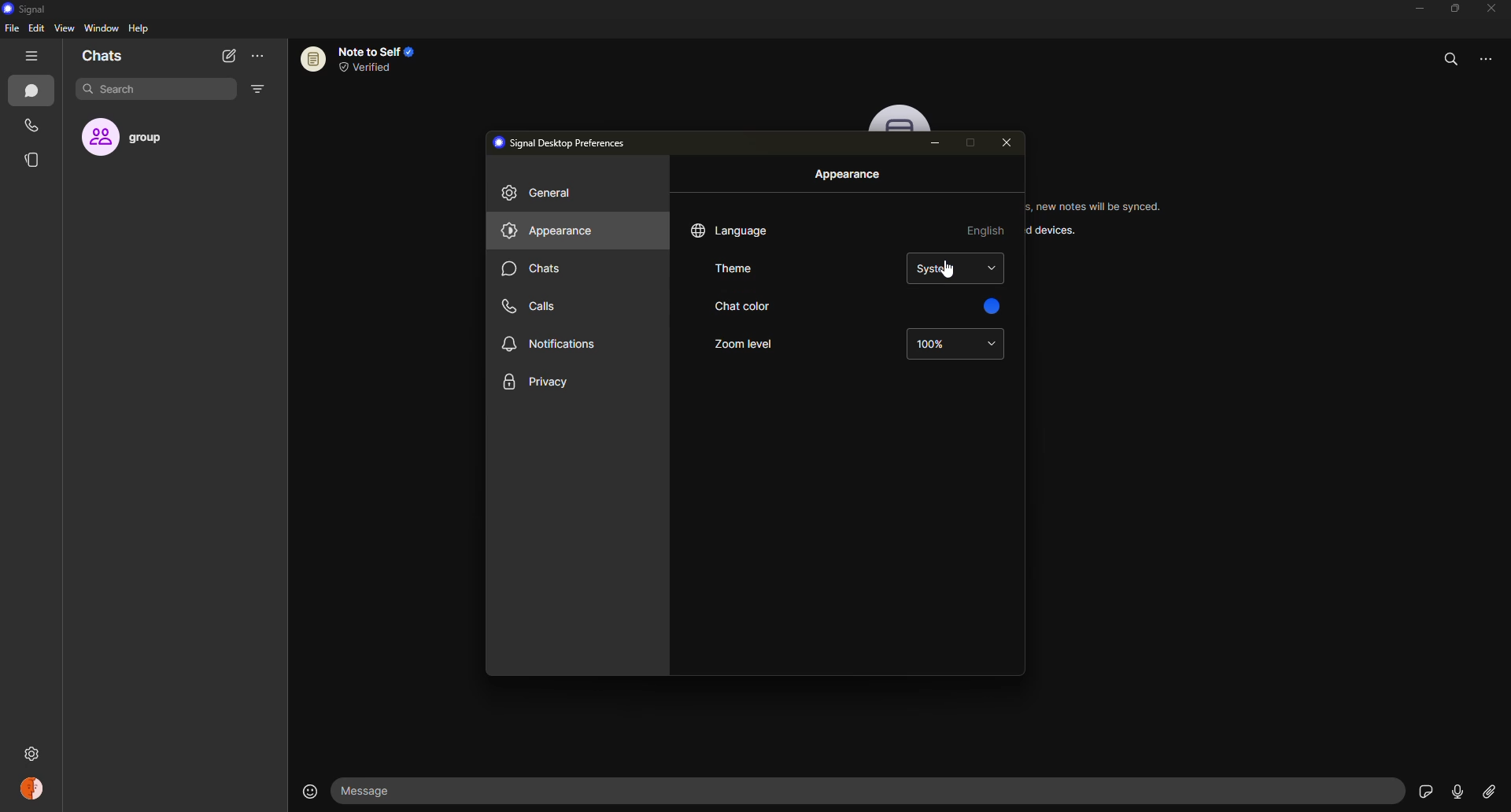 Image resolution: width=1511 pixels, height=812 pixels. I want to click on profile pic, so click(902, 118).